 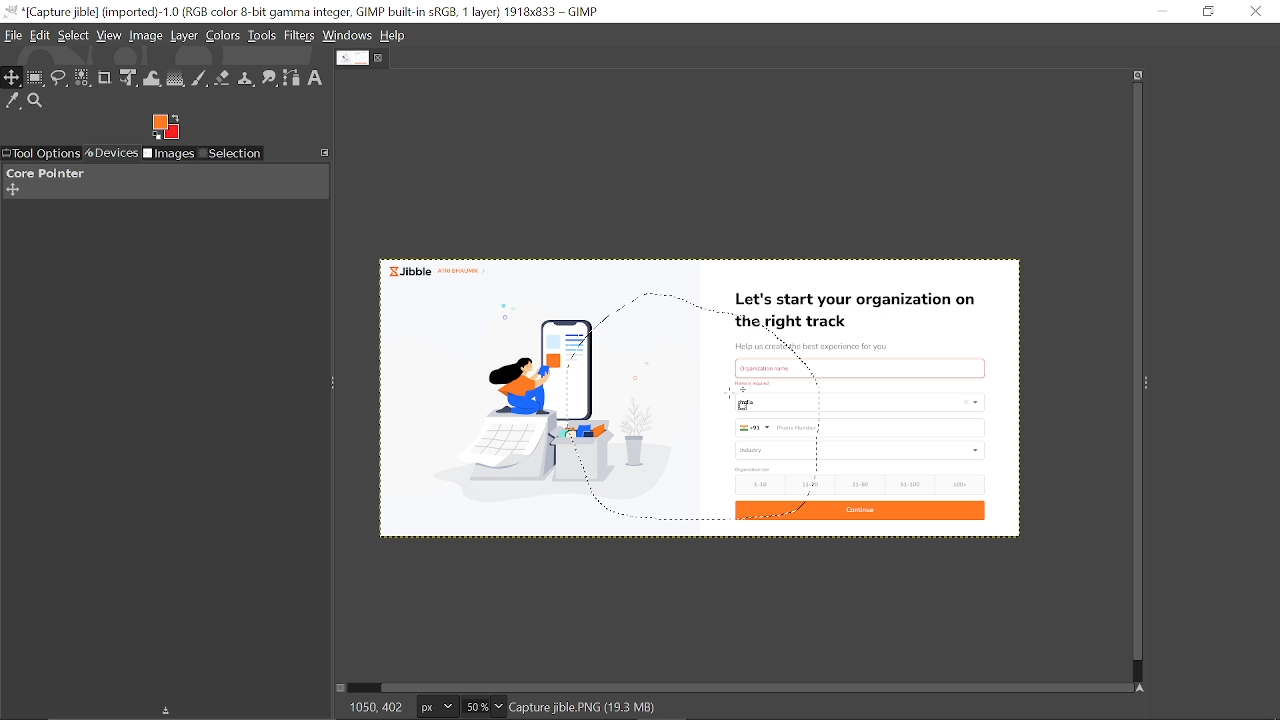 What do you see at coordinates (153, 79) in the screenshot?
I see `Wrap text tool` at bounding box center [153, 79].